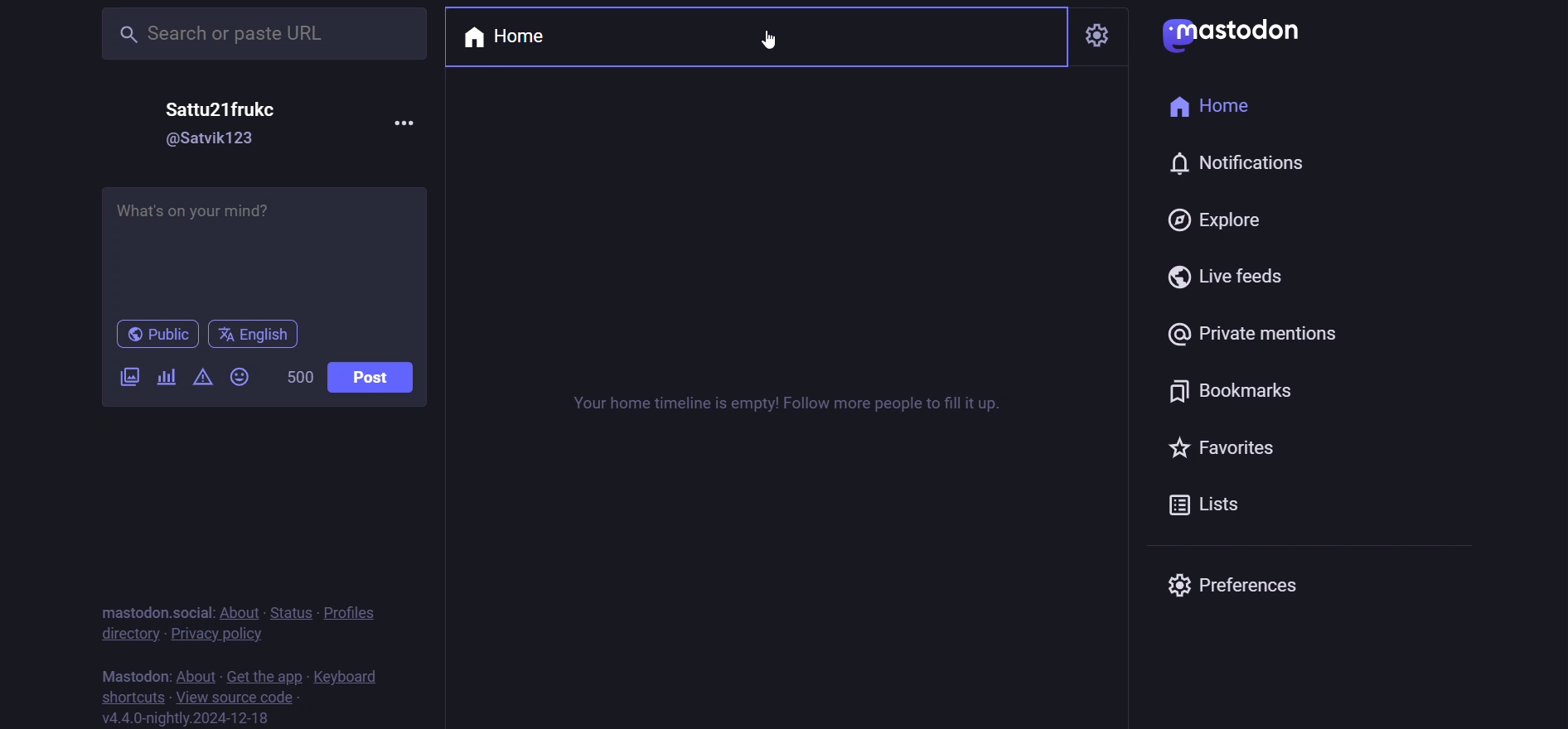 This screenshot has width=1568, height=729. What do you see at coordinates (263, 675) in the screenshot?
I see `get the app` at bounding box center [263, 675].